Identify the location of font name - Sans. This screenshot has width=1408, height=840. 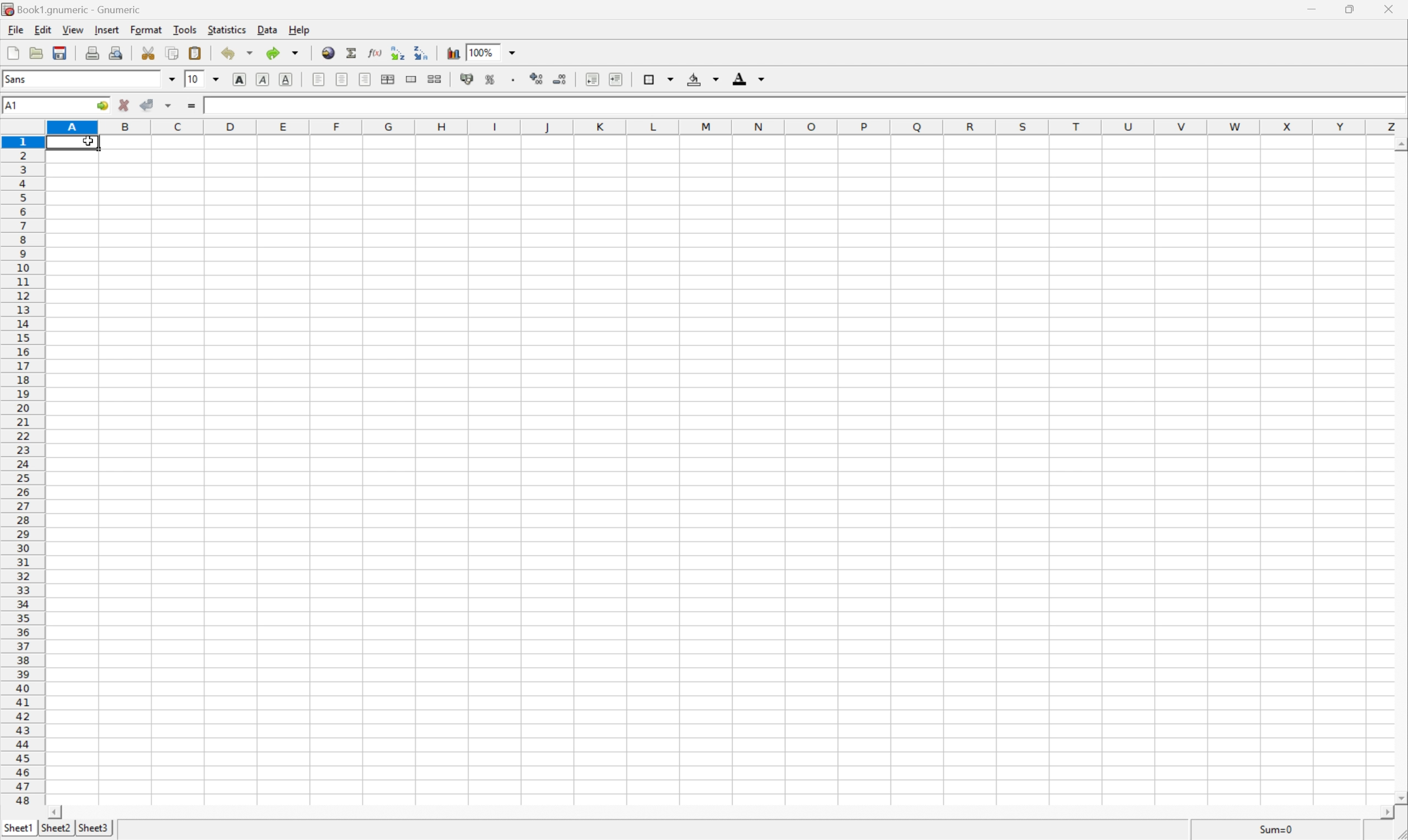
(87, 80).